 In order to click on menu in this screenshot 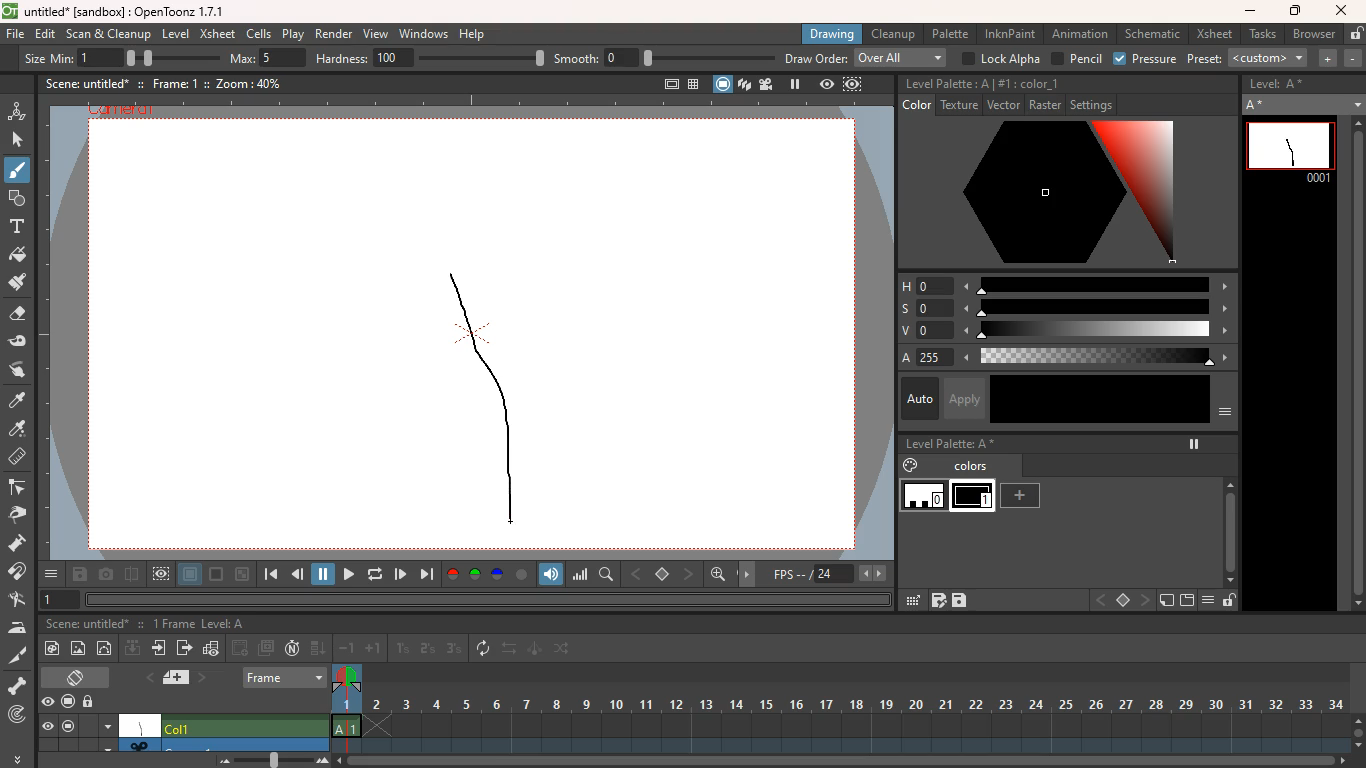, I will do `click(1224, 416)`.